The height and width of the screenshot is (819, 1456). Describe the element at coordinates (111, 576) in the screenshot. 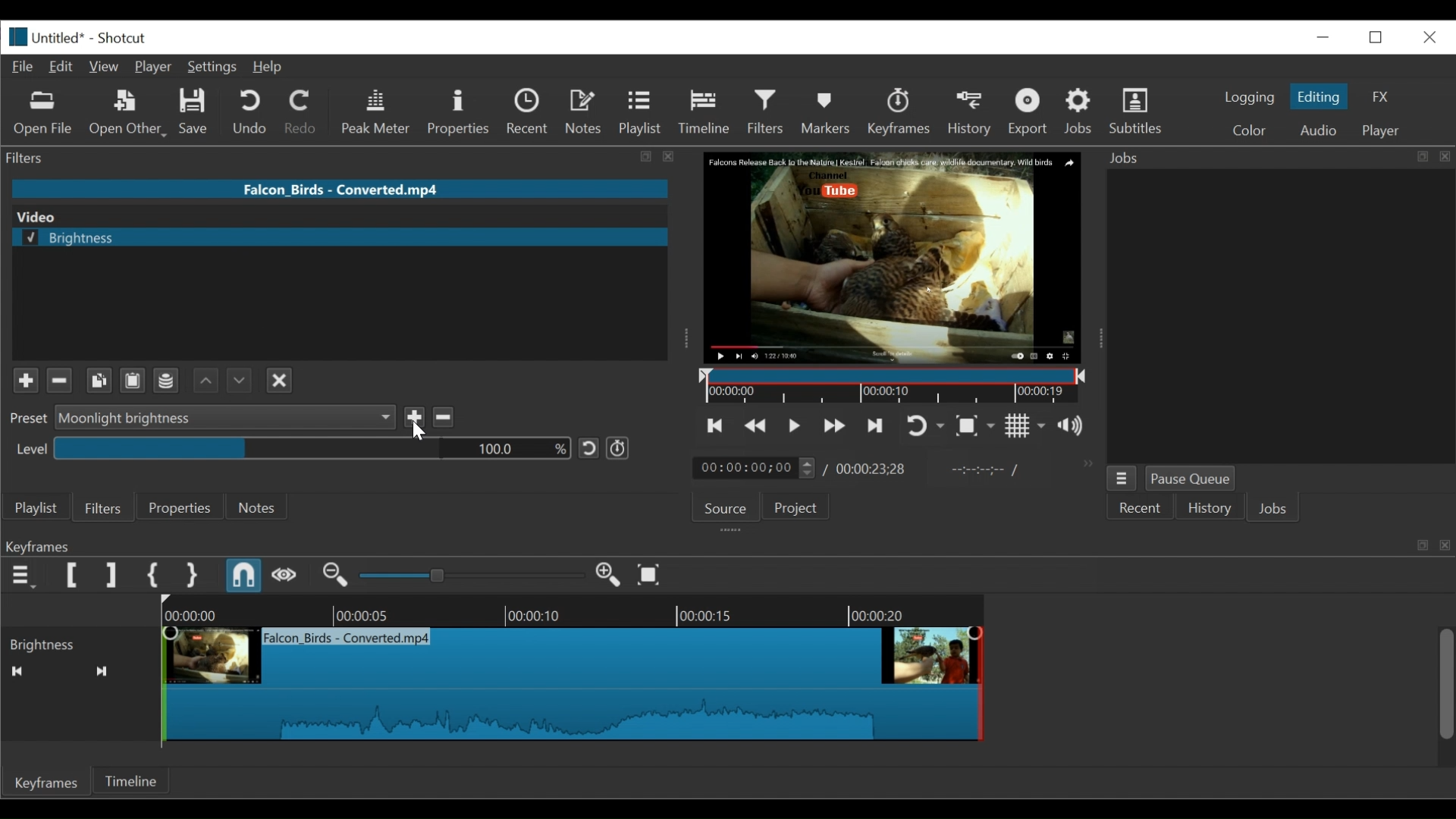

I see `Set Filter last` at that location.